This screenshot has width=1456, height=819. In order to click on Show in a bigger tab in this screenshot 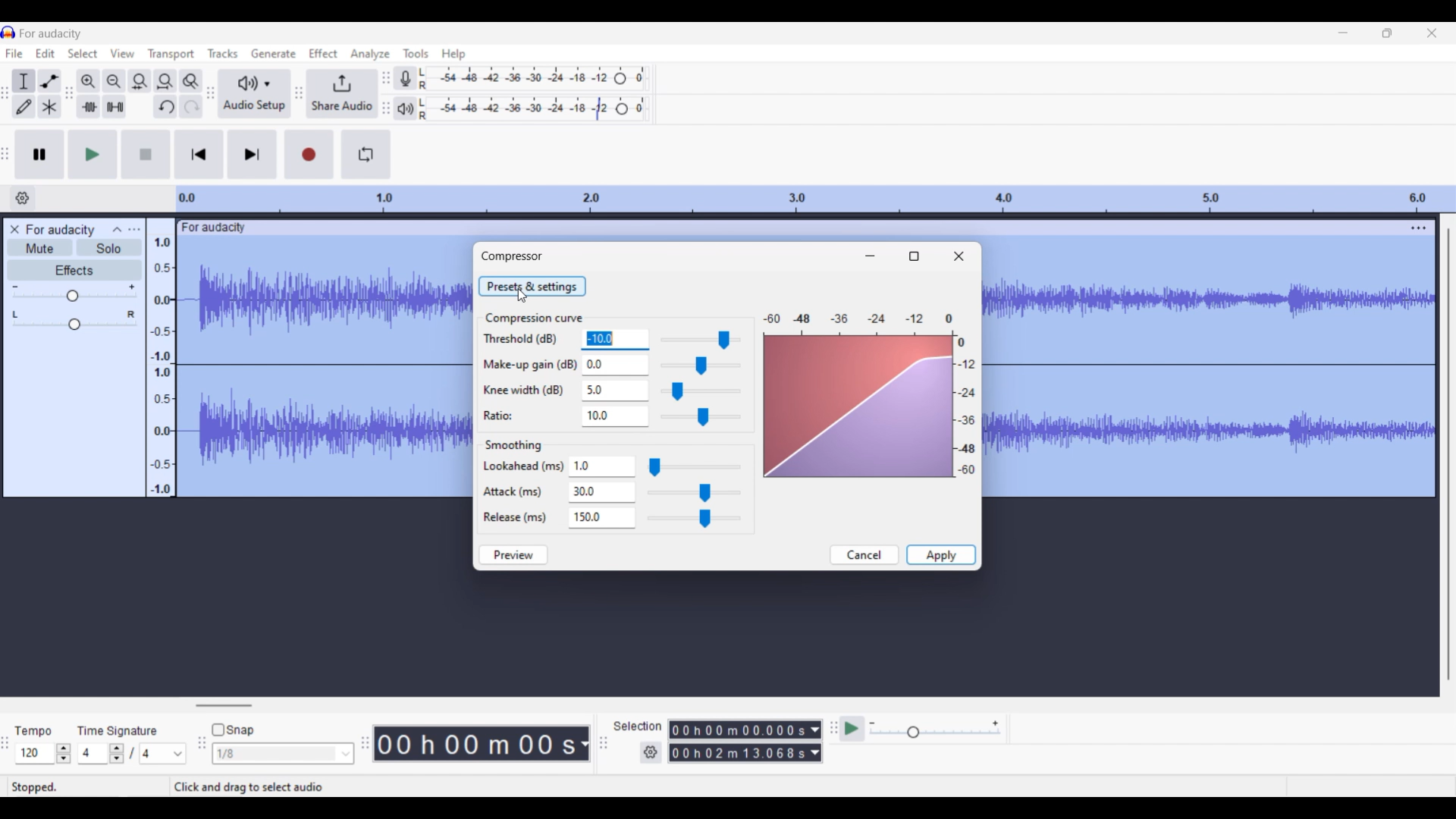, I will do `click(913, 256)`.